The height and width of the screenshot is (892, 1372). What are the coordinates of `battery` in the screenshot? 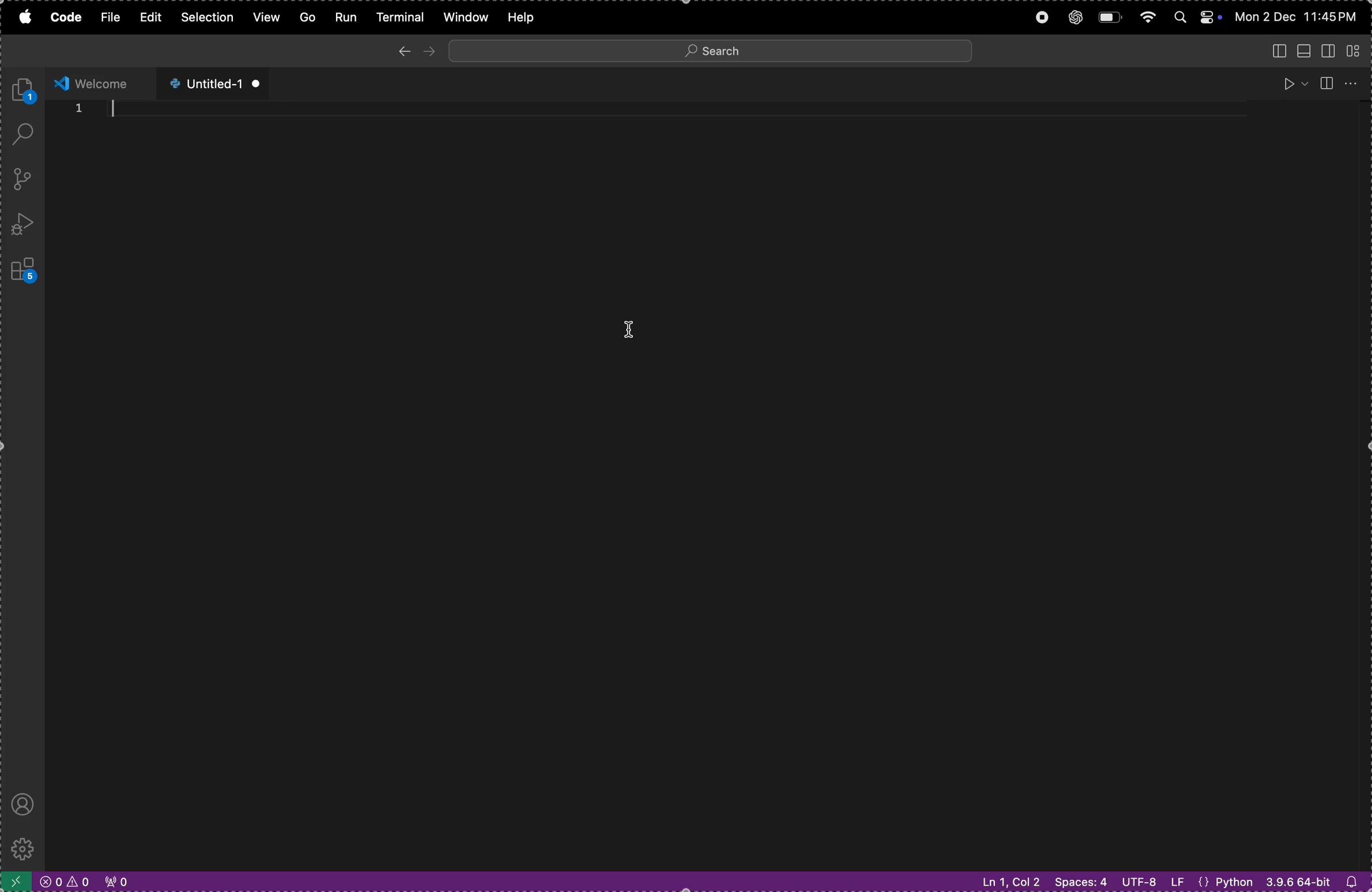 It's located at (1110, 18).